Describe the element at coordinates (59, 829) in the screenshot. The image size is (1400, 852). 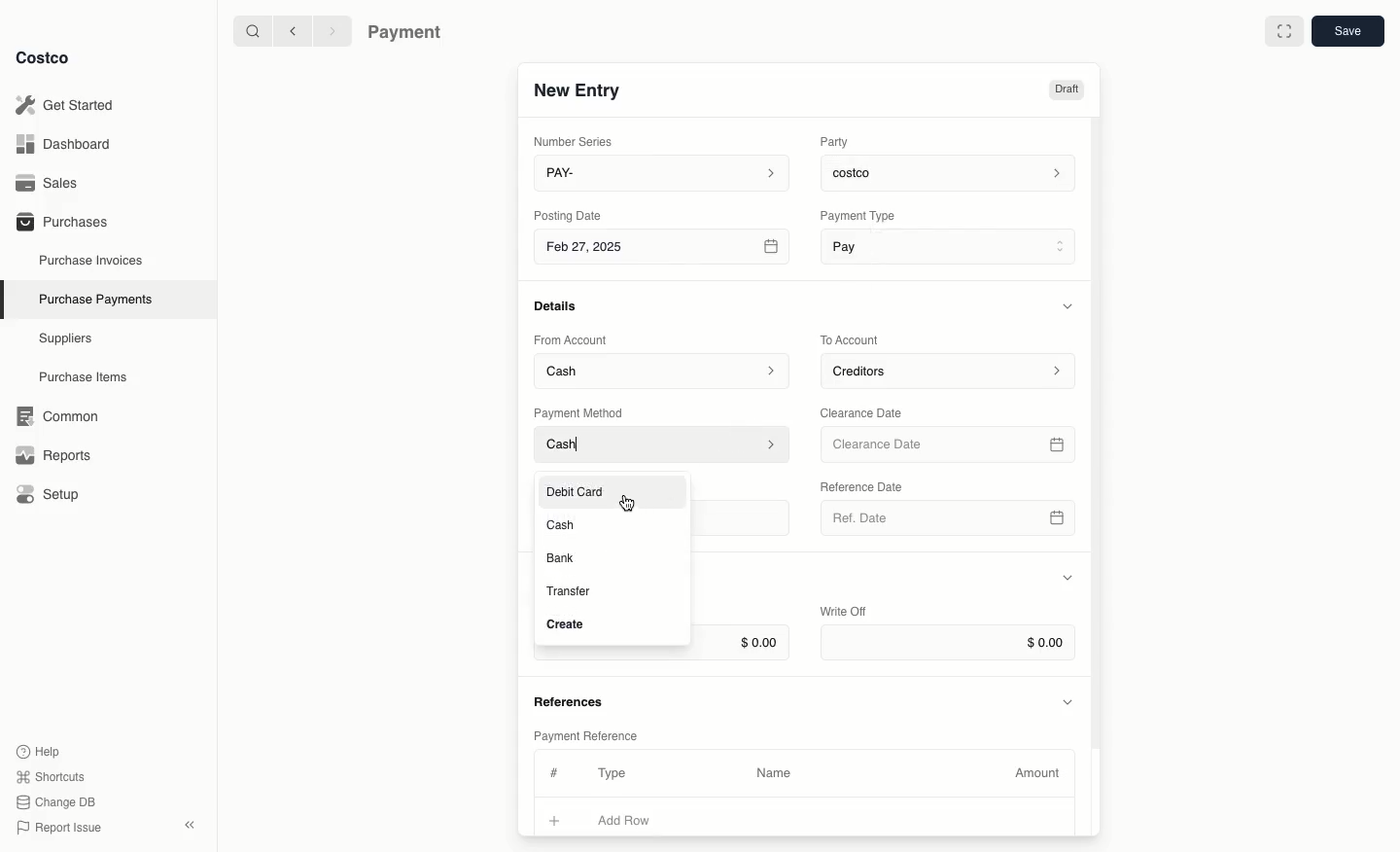
I see `Report Issue` at that location.